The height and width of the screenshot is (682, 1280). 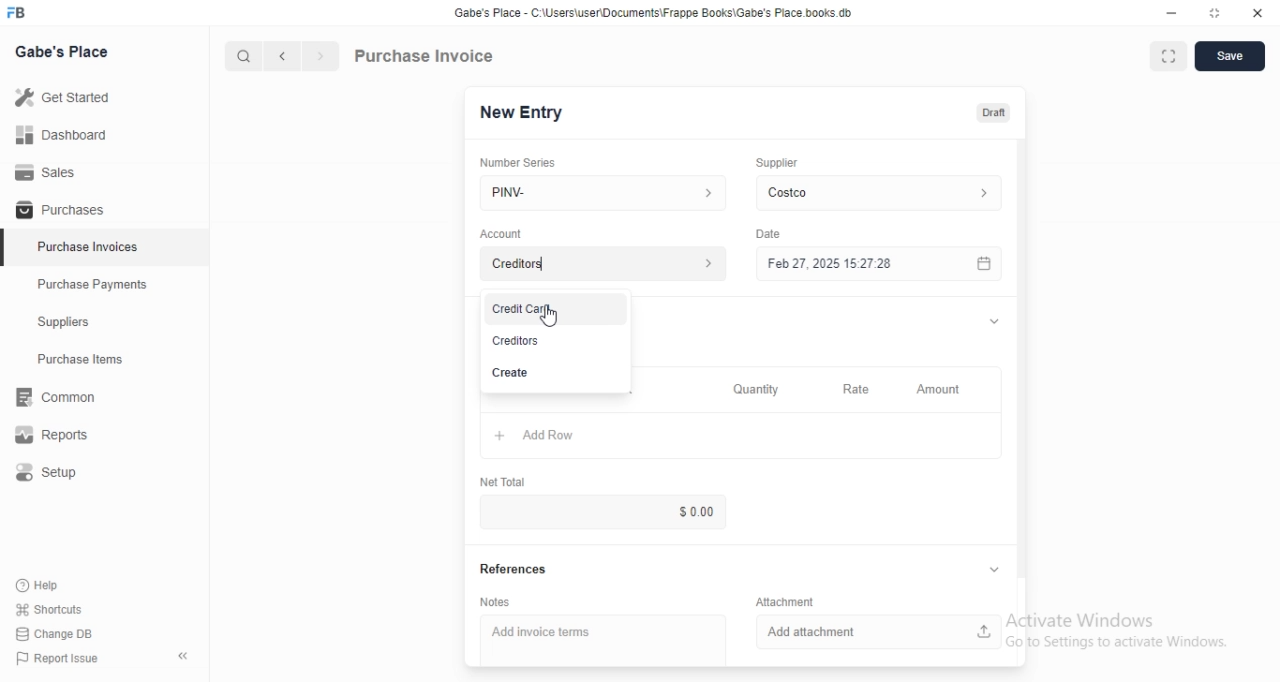 What do you see at coordinates (49, 586) in the screenshot?
I see `Help` at bounding box center [49, 586].